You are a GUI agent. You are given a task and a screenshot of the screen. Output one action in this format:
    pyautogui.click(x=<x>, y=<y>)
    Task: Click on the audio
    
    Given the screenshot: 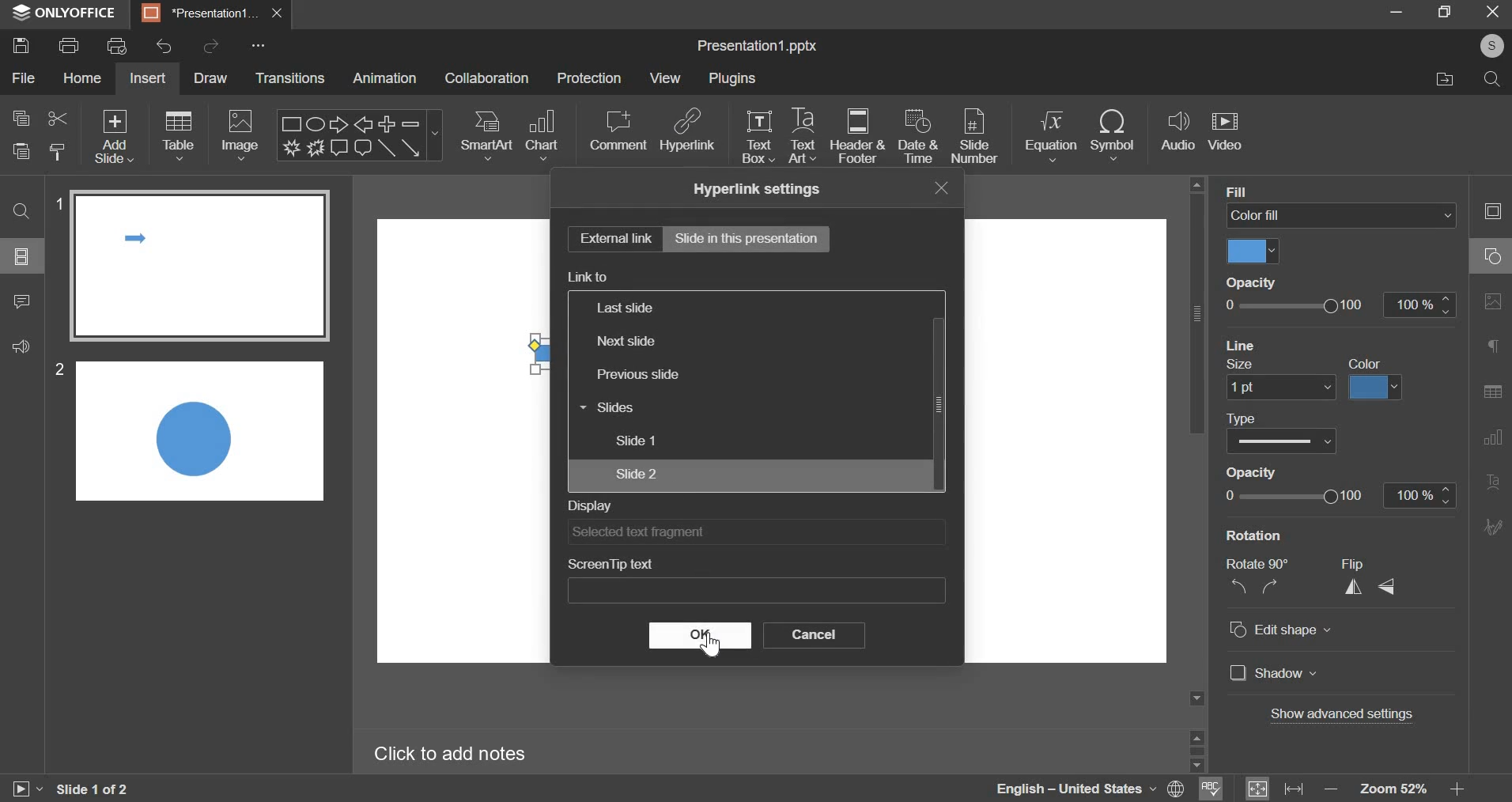 What is the action you would take?
    pyautogui.click(x=1180, y=136)
    